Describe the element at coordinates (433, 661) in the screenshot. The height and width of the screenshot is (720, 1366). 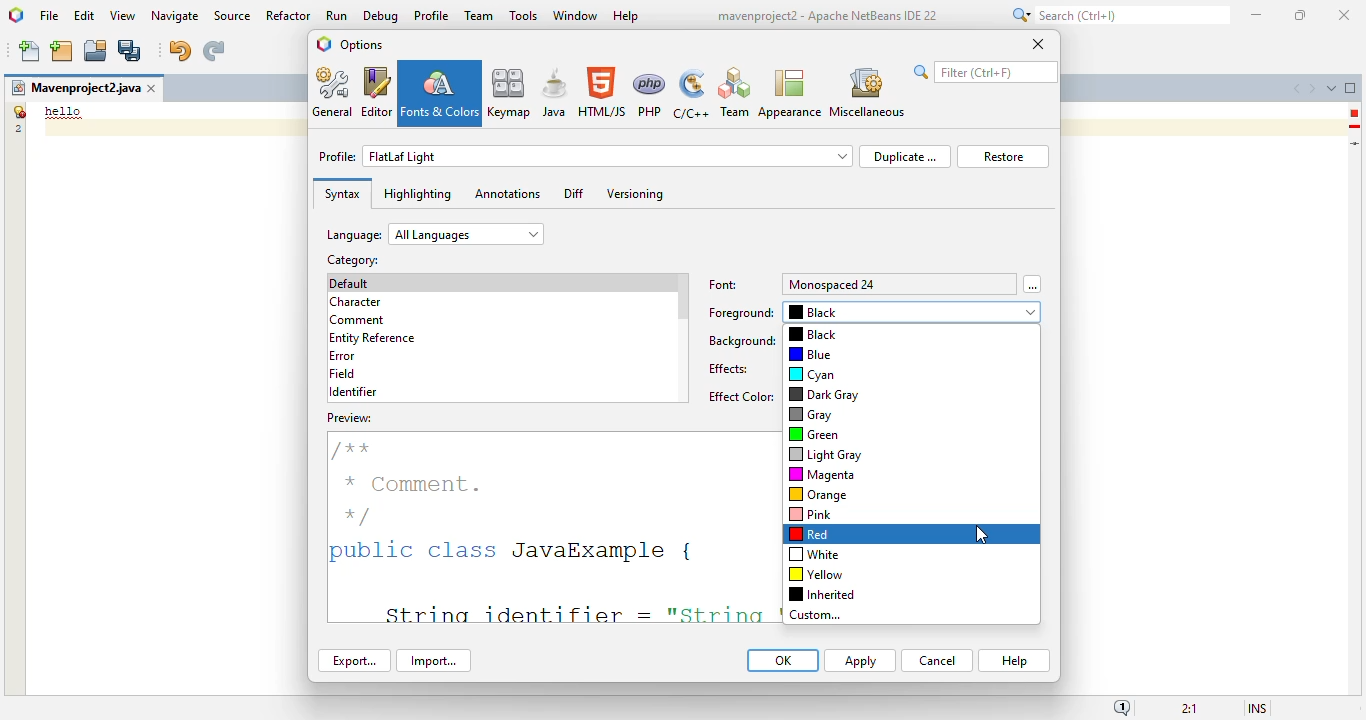
I see `import` at that location.